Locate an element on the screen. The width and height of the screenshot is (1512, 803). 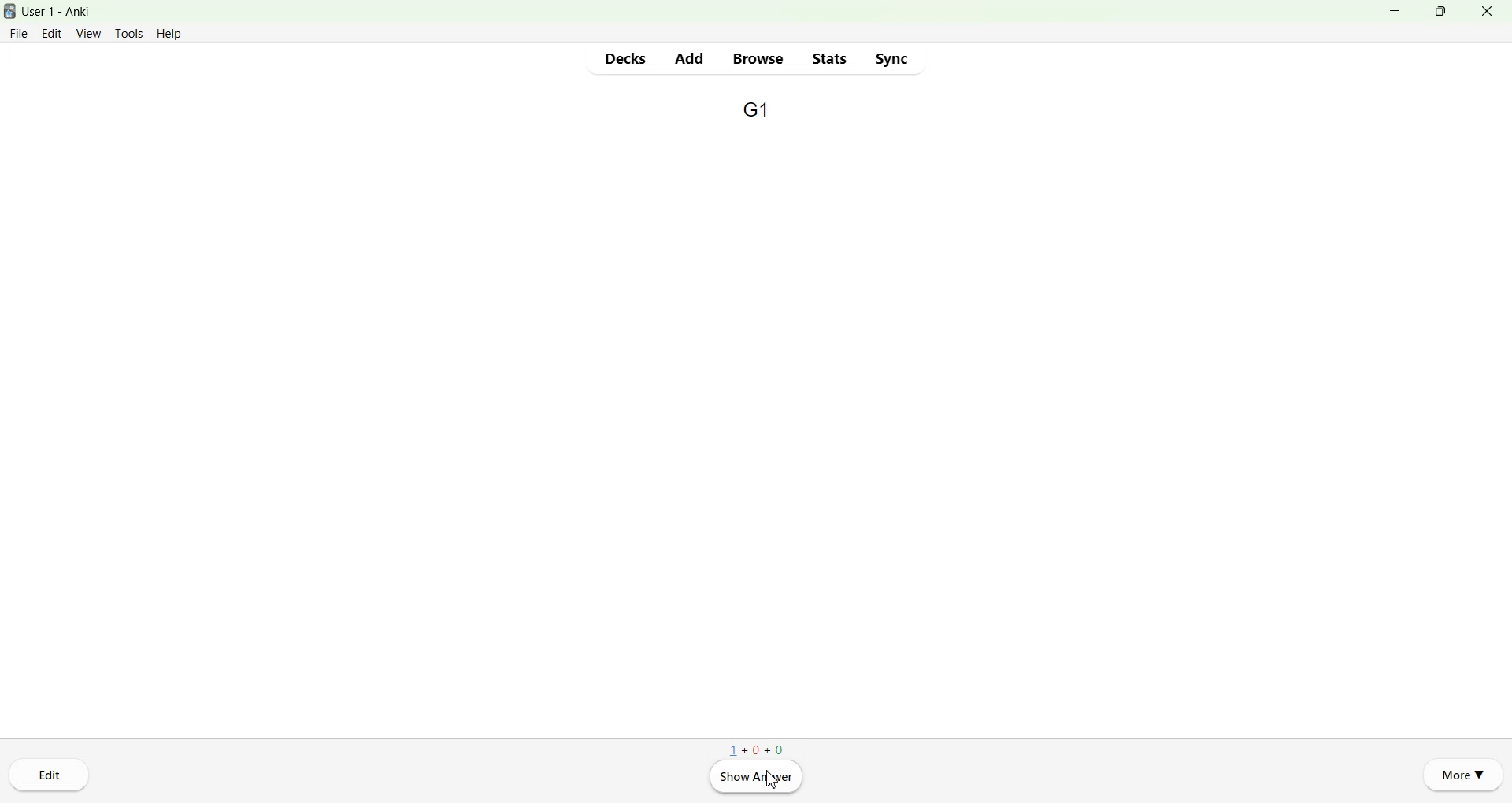
Close is located at coordinates (1486, 11).